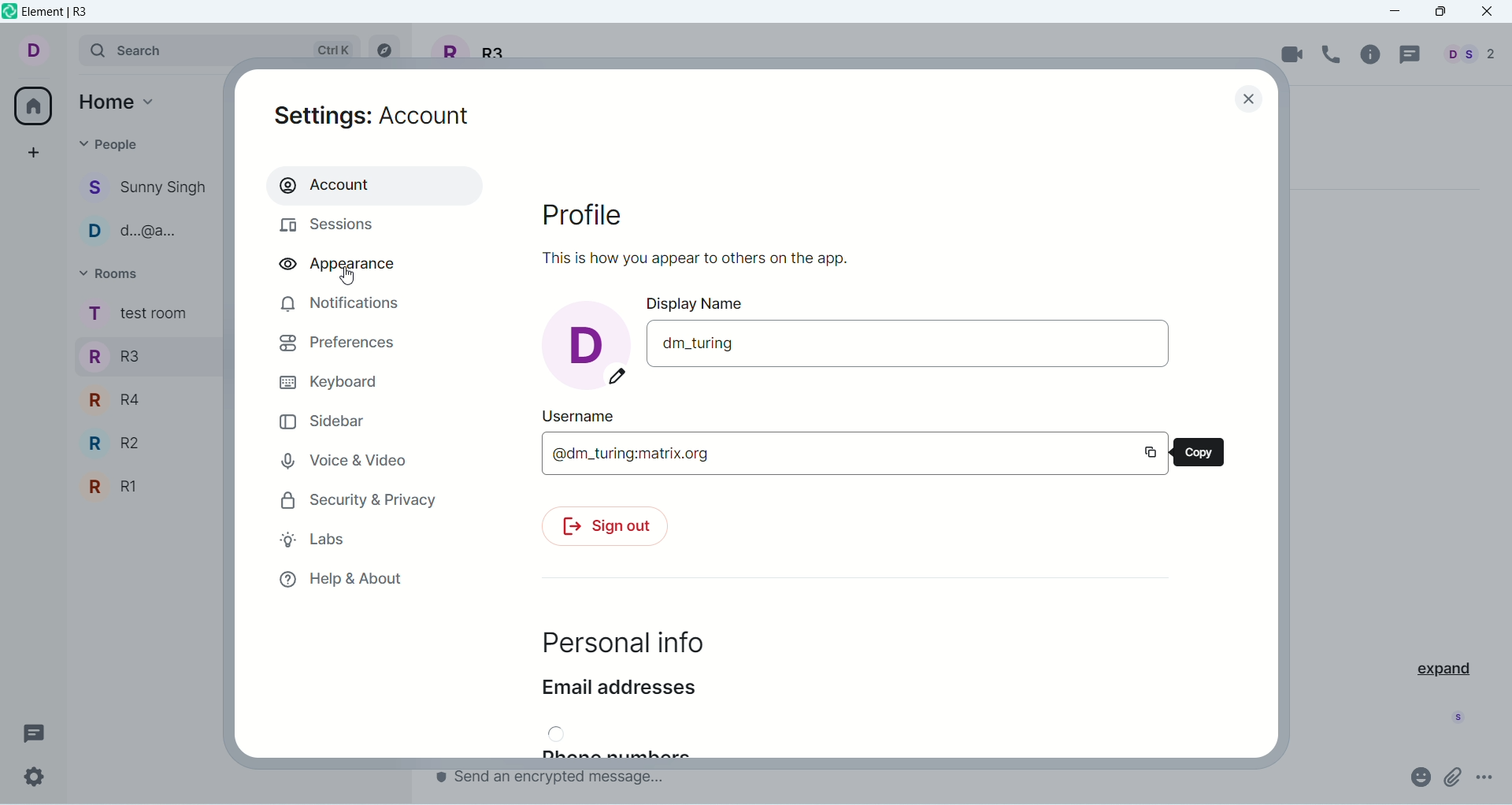 Image resolution: width=1512 pixels, height=805 pixels. Describe the element at coordinates (327, 380) in the screenshot. I see `keyboard` at that location.